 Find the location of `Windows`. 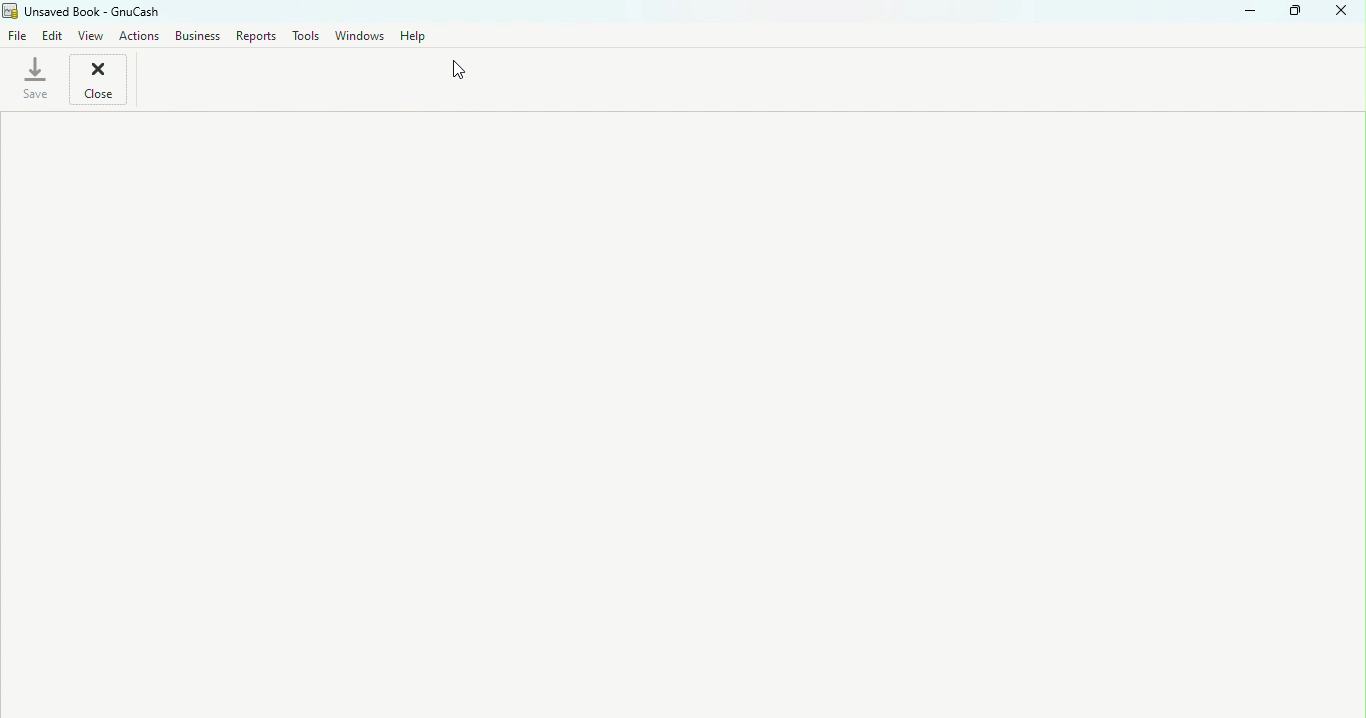

Windows is located at coordinates (356, 34).